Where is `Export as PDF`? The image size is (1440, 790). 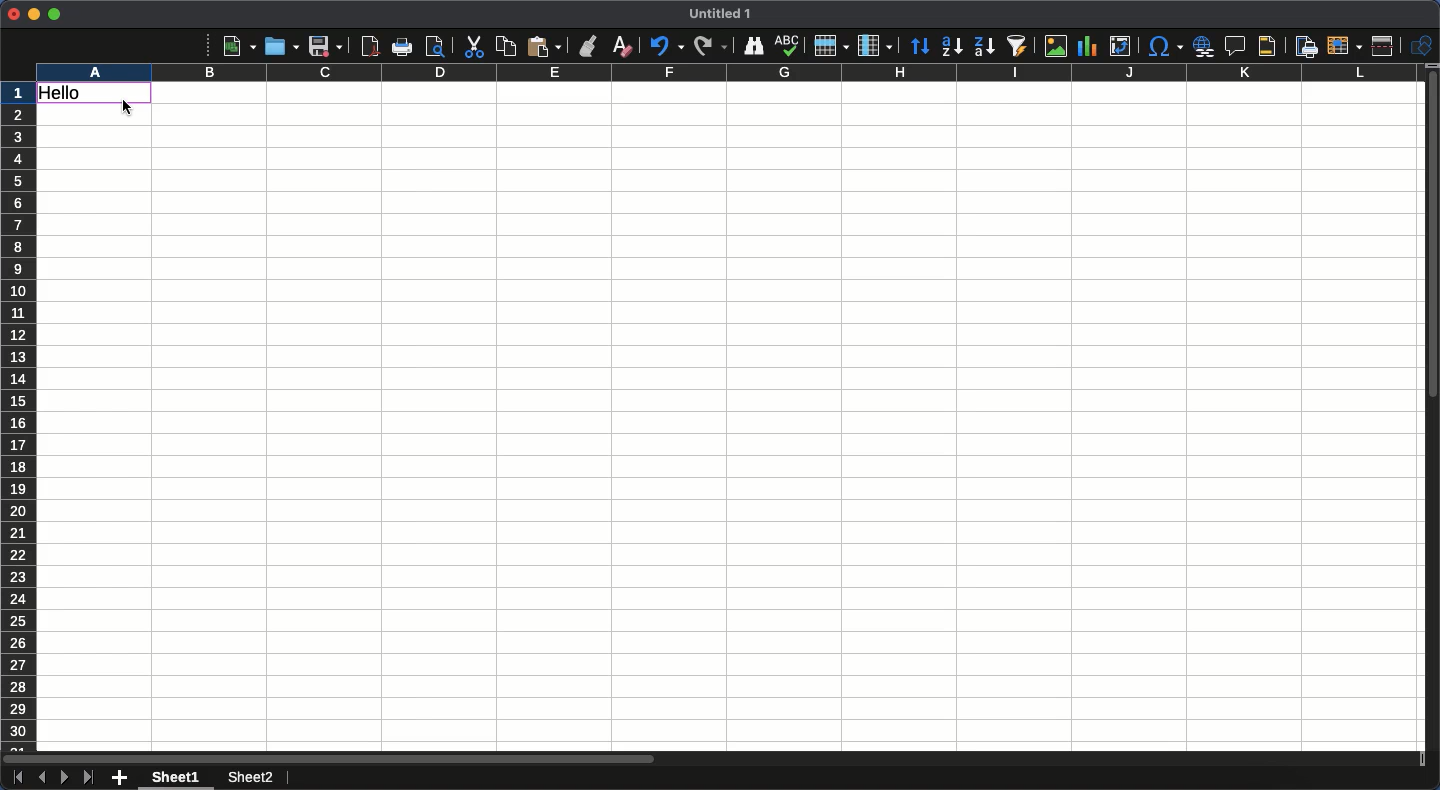
Export as PDF is located at coordinates (369, 46).